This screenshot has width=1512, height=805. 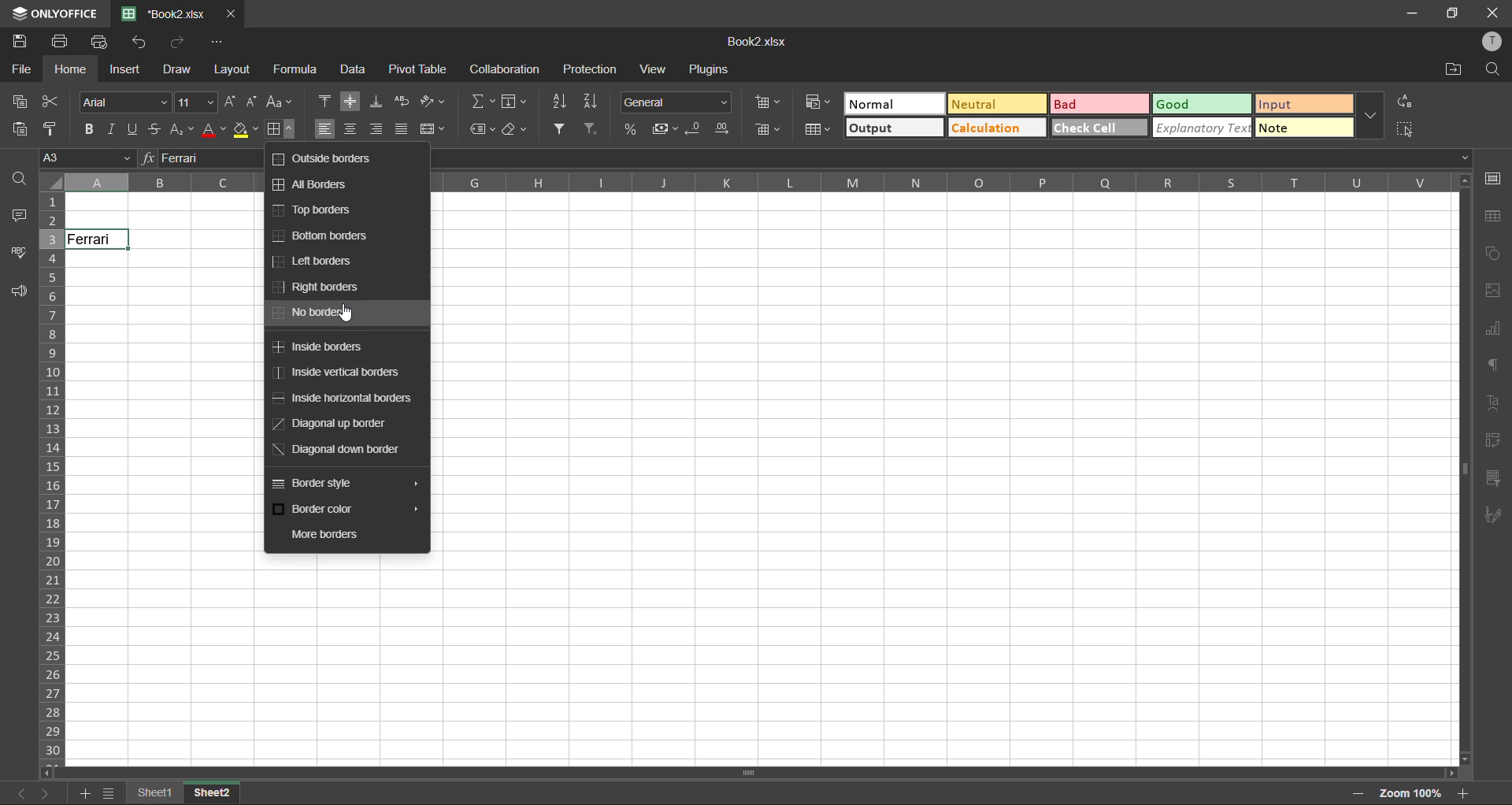 I want to click on output, so click(x=895, y=128).